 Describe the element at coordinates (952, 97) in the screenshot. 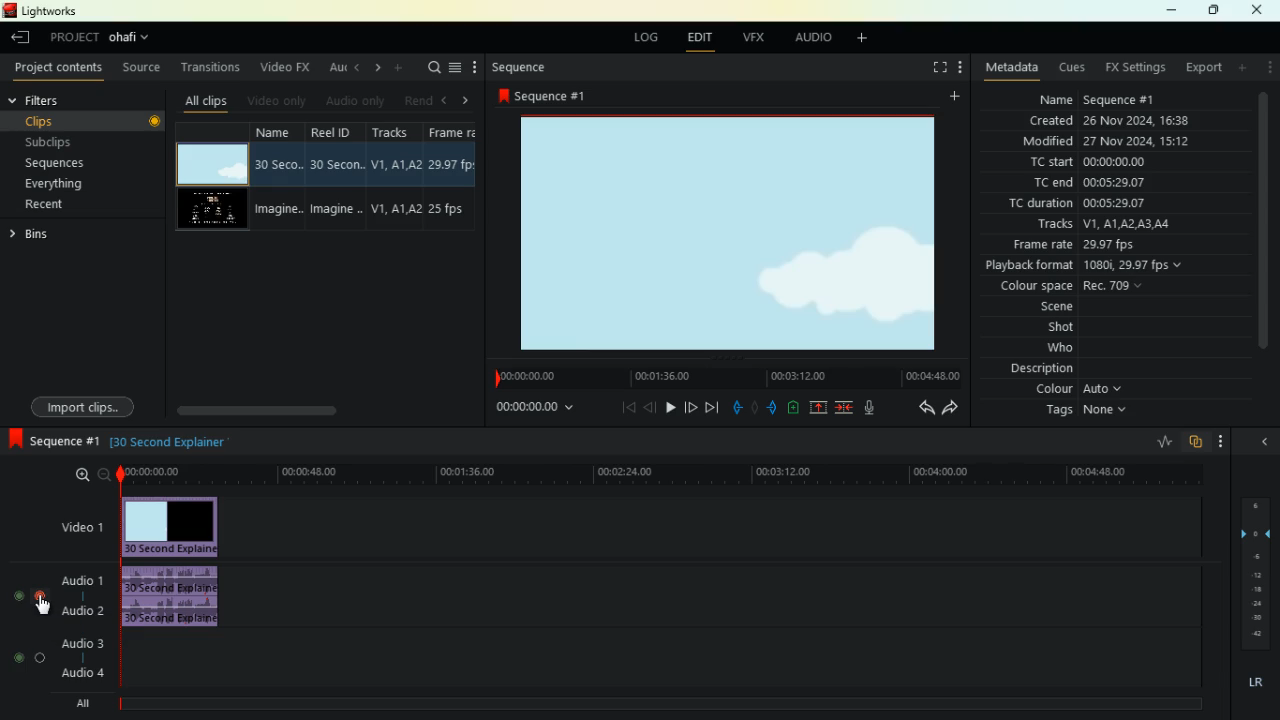

I see `add` at that location.